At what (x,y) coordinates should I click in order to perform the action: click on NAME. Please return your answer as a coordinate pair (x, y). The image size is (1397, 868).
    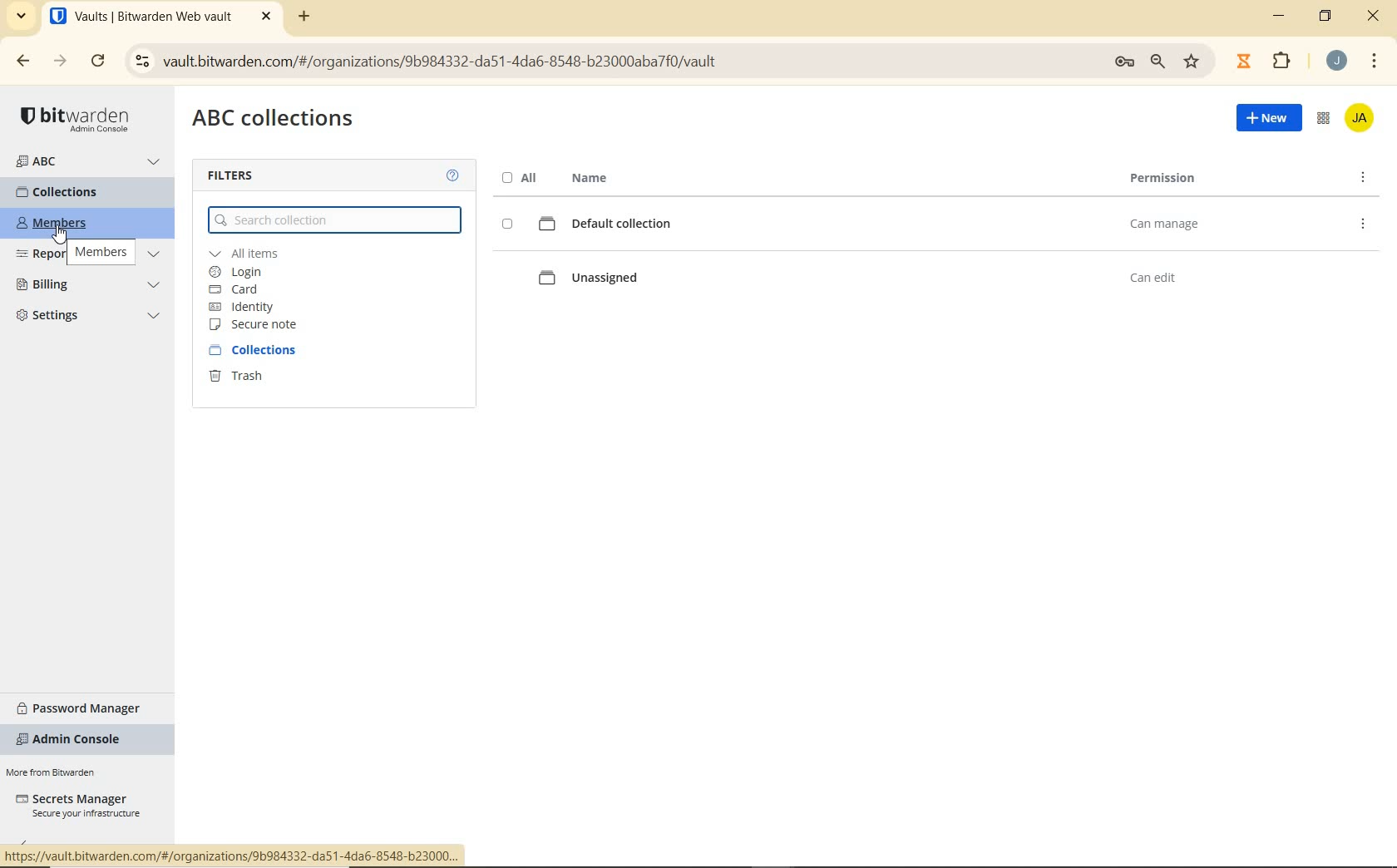
    Looking at the image, I should click on (587, 177).